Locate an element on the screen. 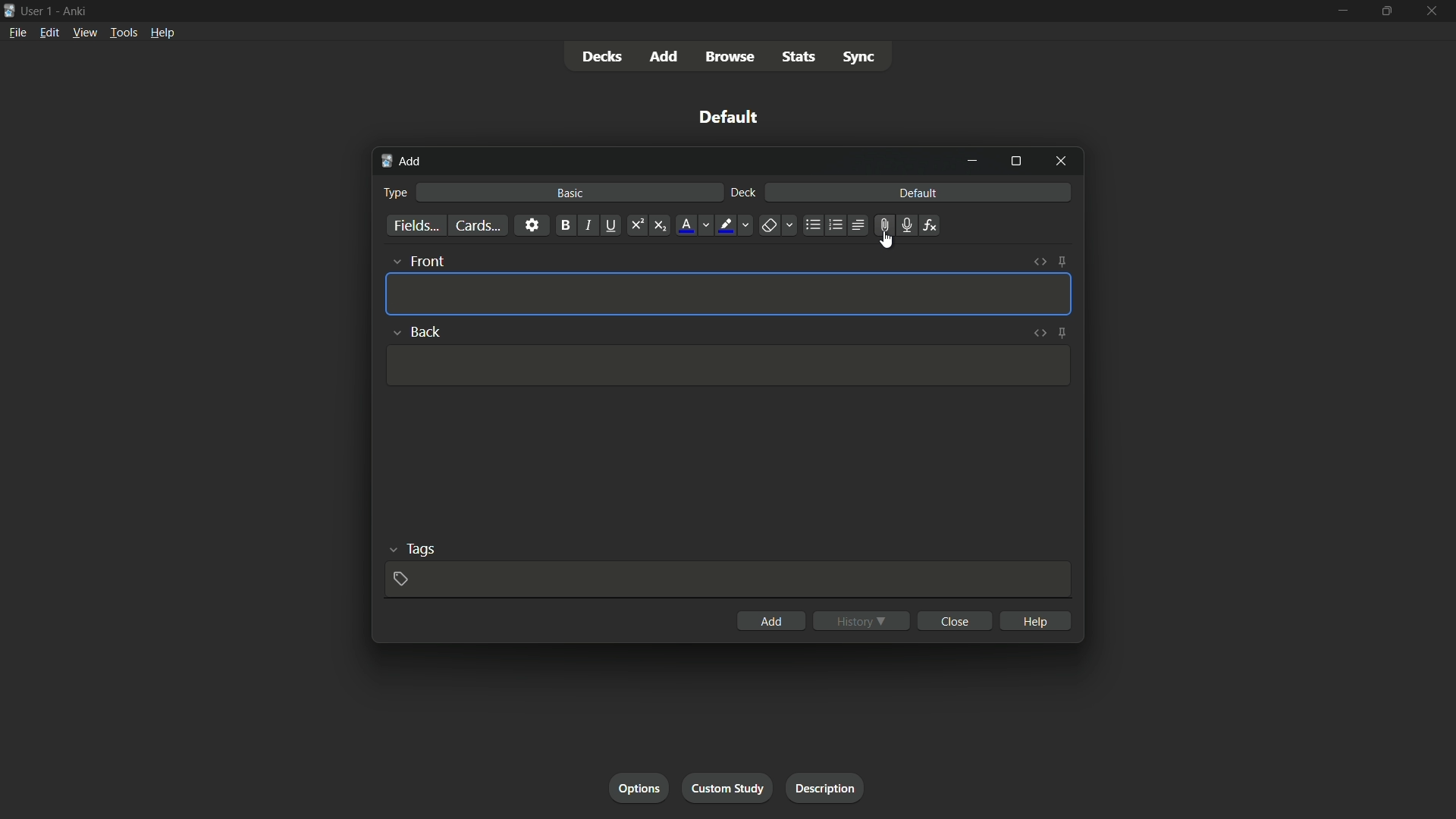 This screenshot has height=819, width=1456. alignment is located at coordinates (858, 224).